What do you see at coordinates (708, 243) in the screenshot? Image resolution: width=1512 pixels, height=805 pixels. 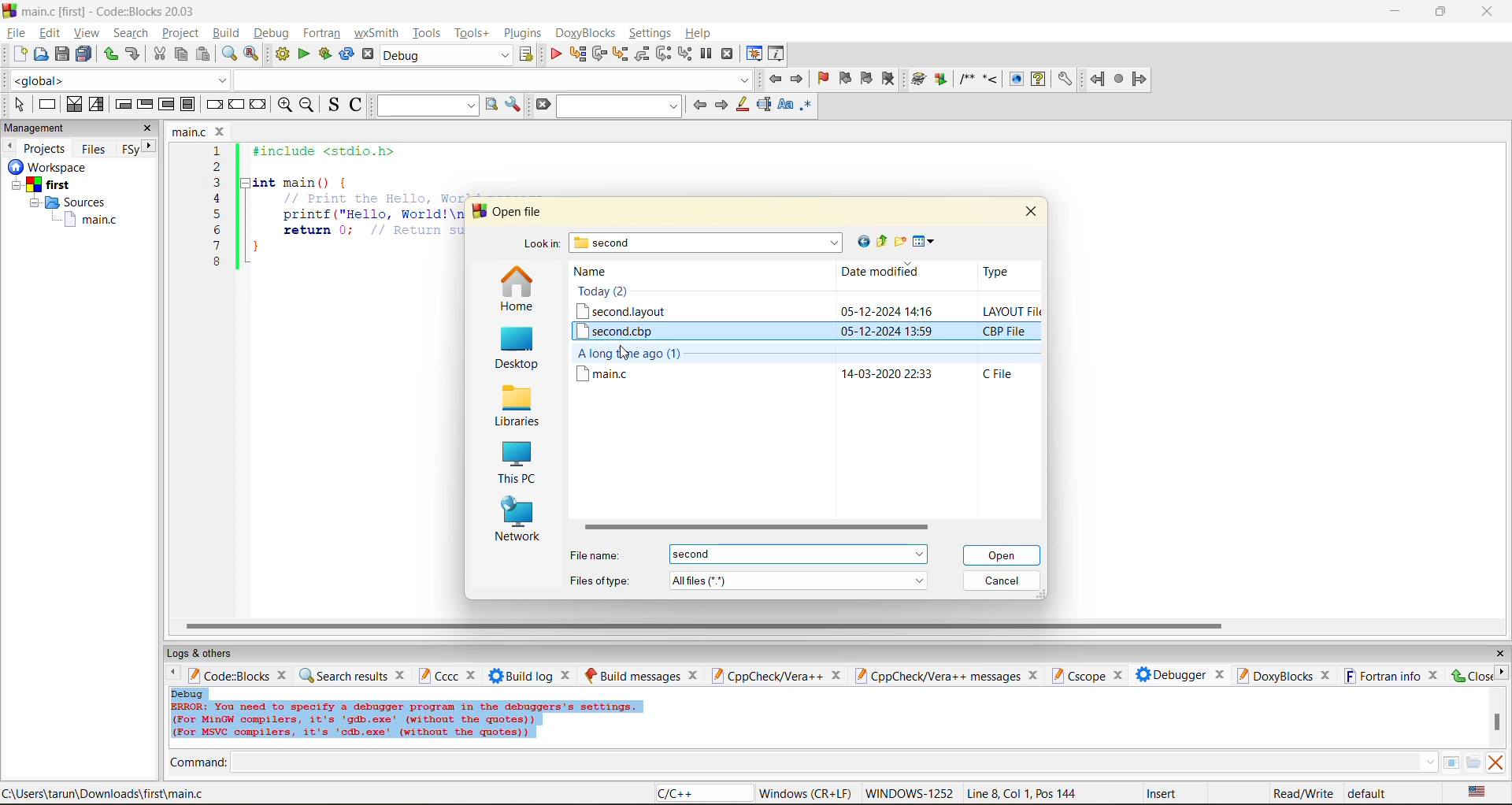 I see `folder name` at bounding box center [708, 243].